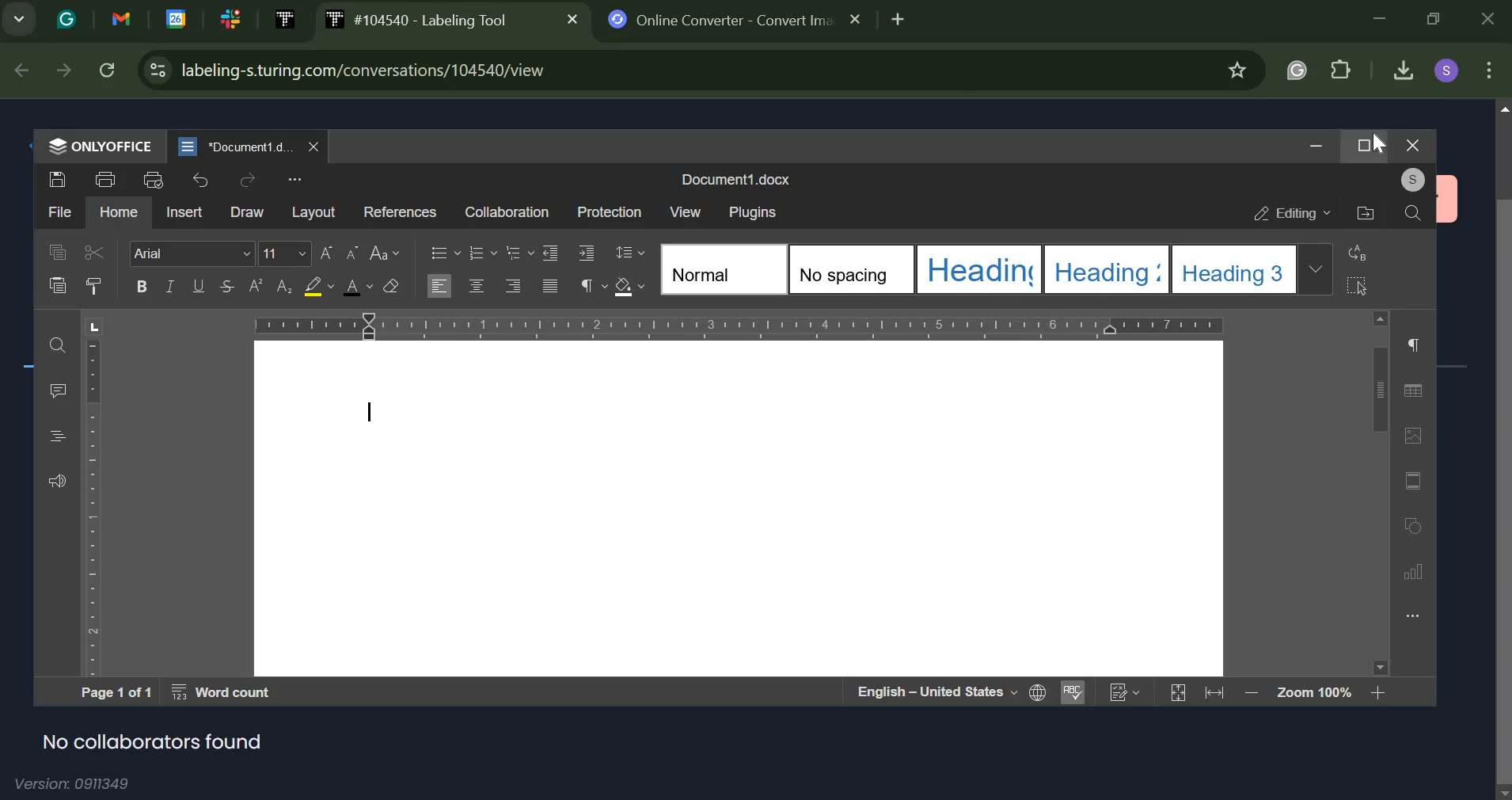 The height and width of the screenshot is (800, 1512). What do you see at coordinates (1237, 269) in the screenshot?
I see `Heading 3` at bounding box center [1237, 269].